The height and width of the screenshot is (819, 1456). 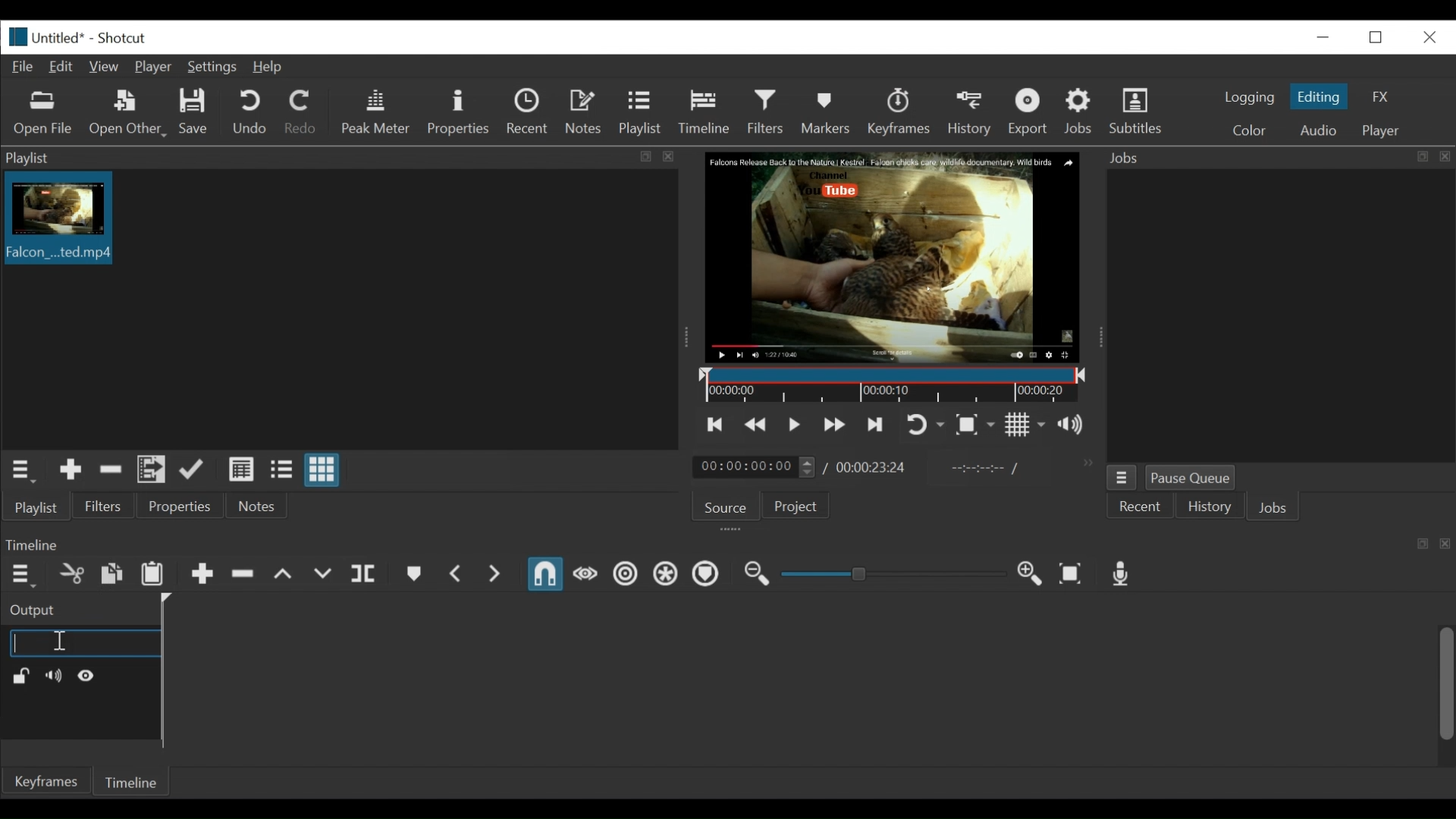 What do you see at coordinates (1381, 130) in the screenshot?
I see `Player` at bounding box center [1381, 130].